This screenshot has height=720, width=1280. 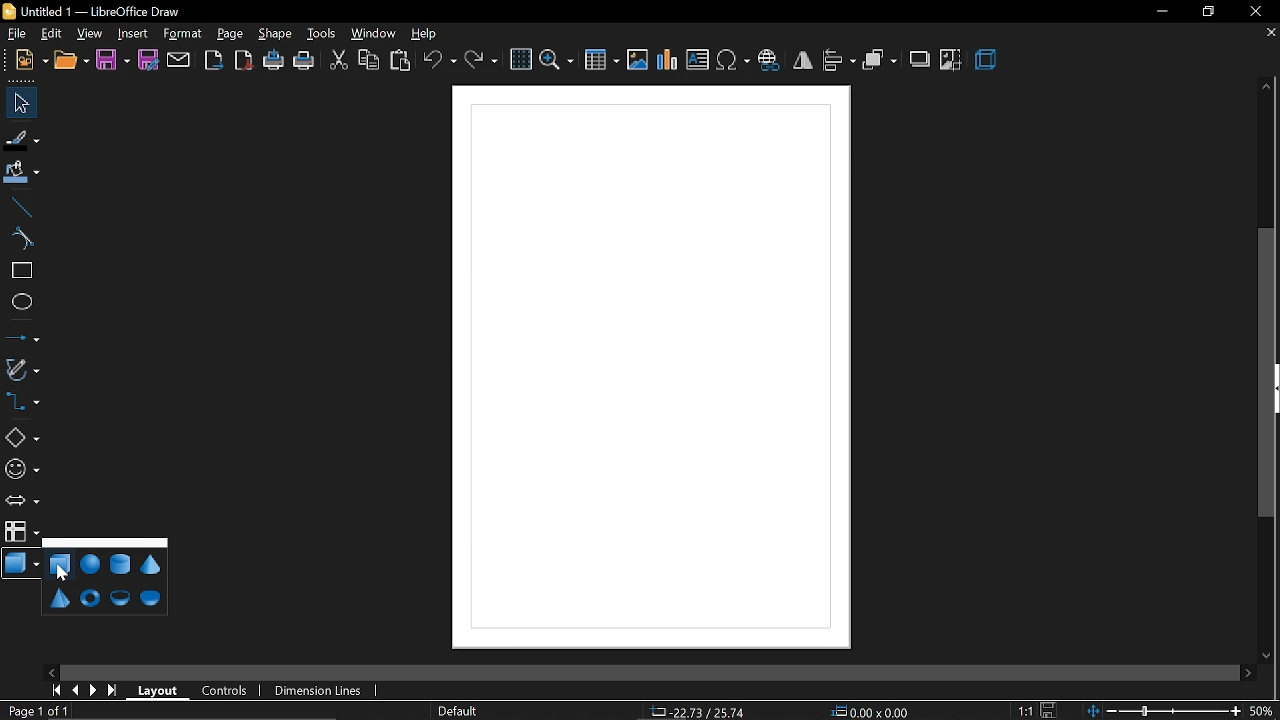 I want to click on close, so click(x=1258, y=10).